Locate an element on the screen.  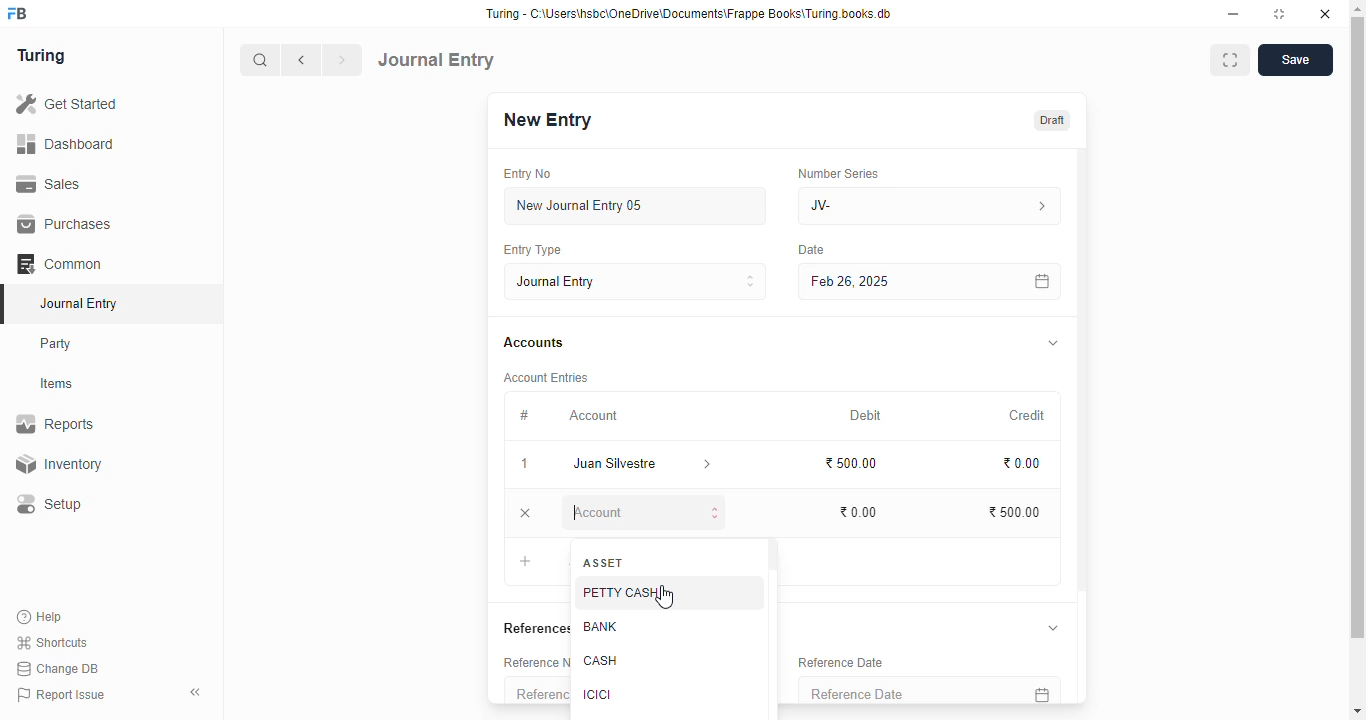
sales is located at coordinates (49, 183).